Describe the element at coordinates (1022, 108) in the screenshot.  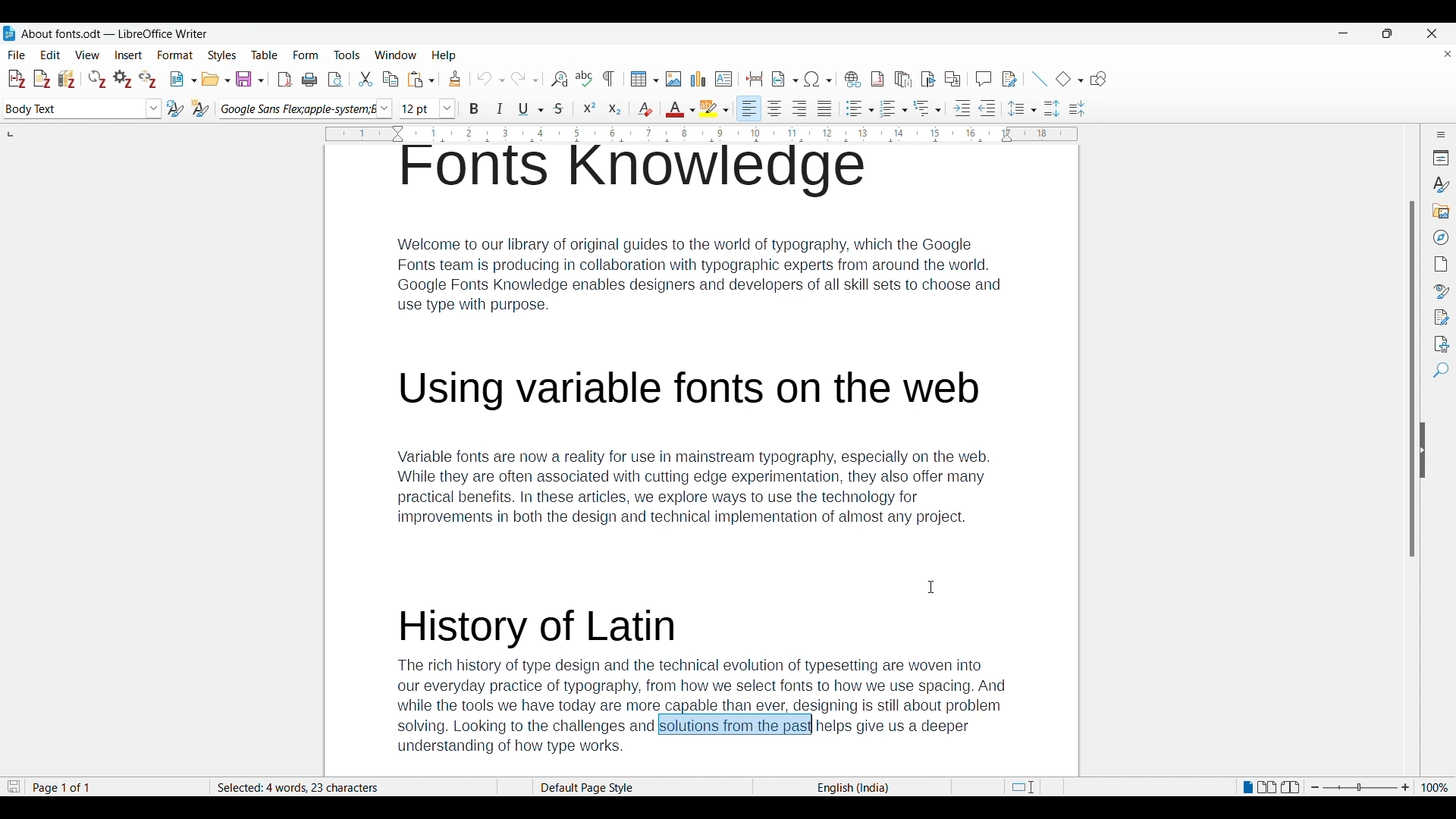
I see `Set line spacing` at that location.